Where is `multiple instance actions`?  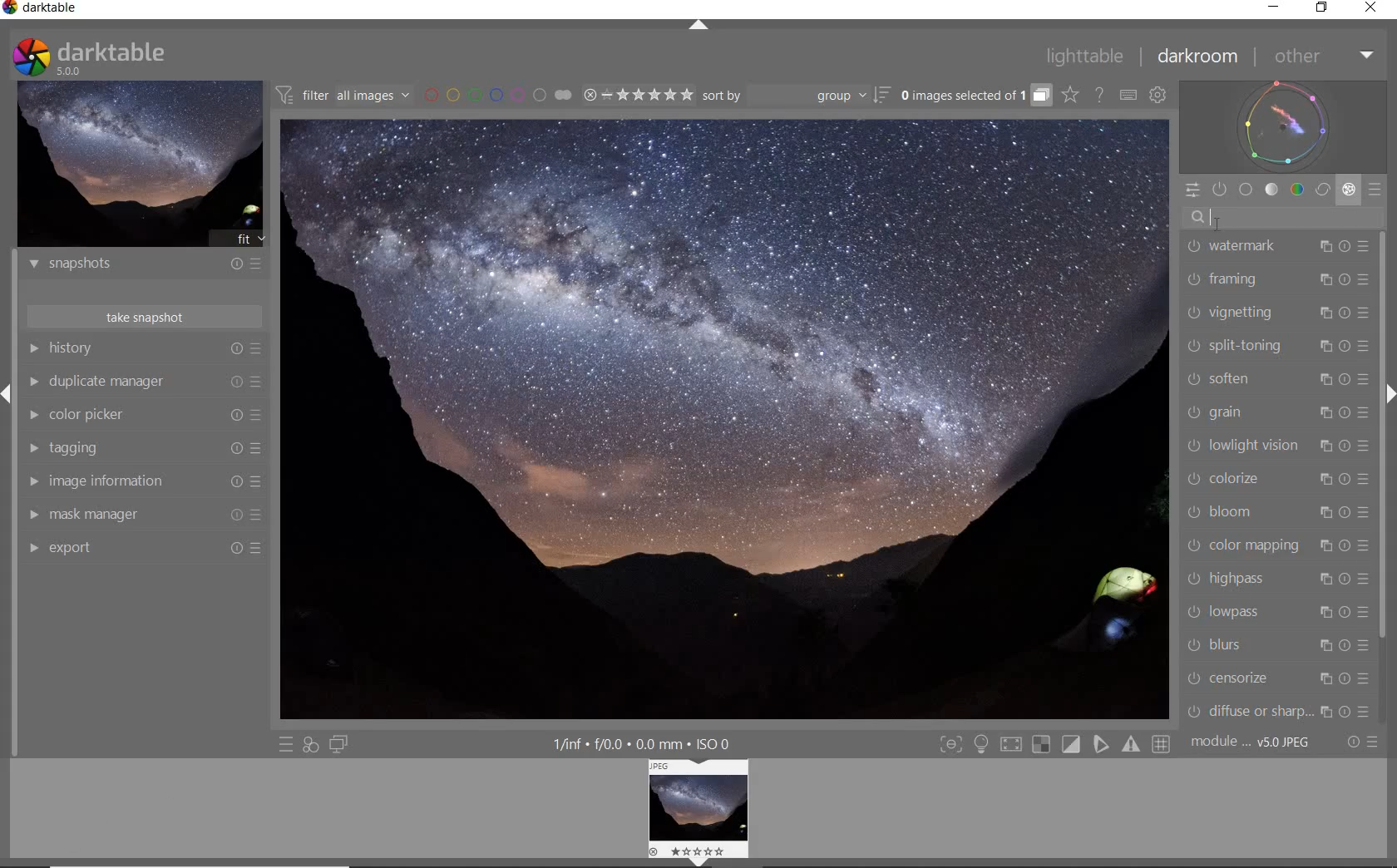
multiple instance actions is located at coordinates (1326, 311).